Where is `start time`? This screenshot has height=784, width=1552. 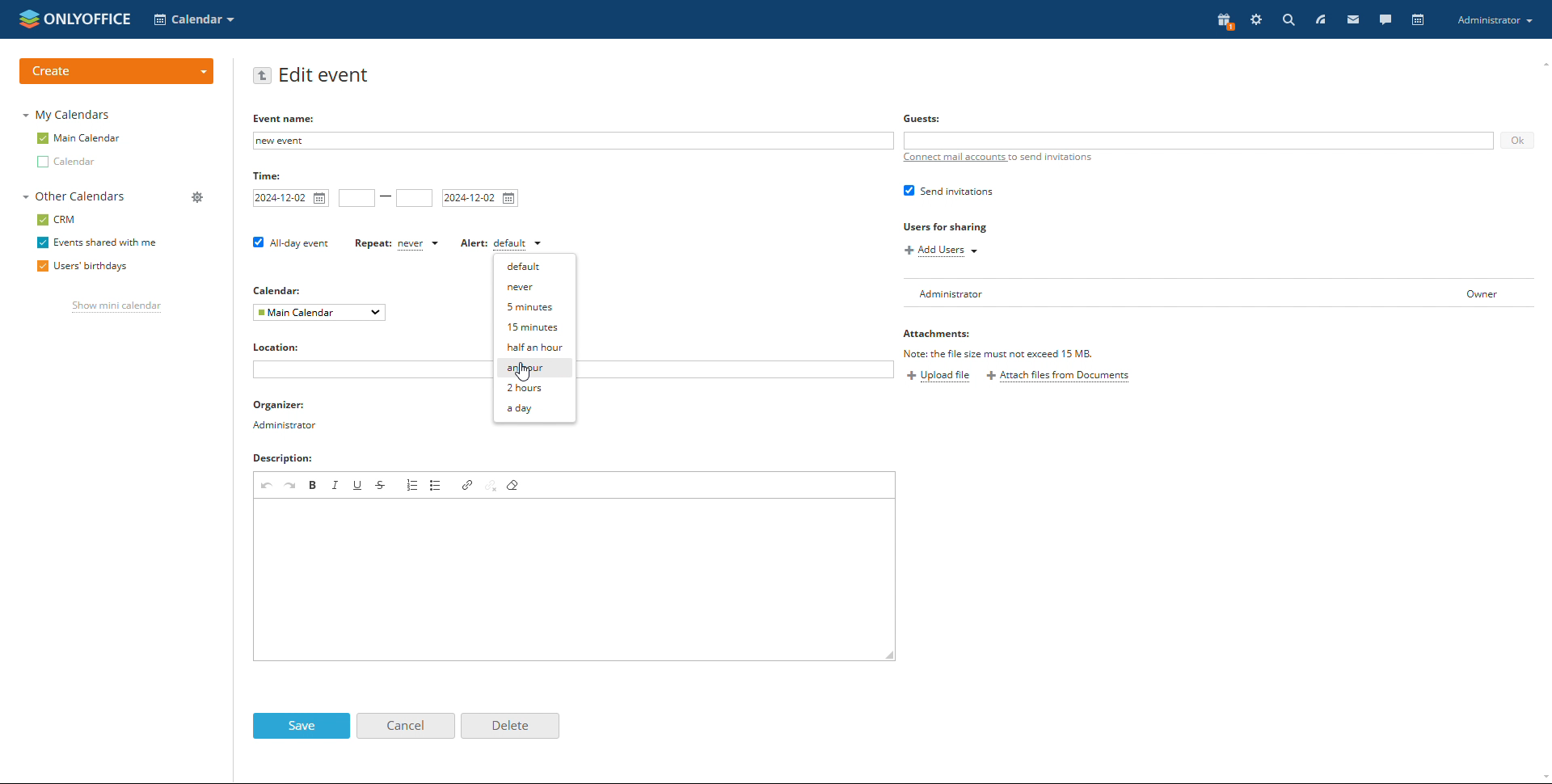
start time is located at coordinates (357, 197).